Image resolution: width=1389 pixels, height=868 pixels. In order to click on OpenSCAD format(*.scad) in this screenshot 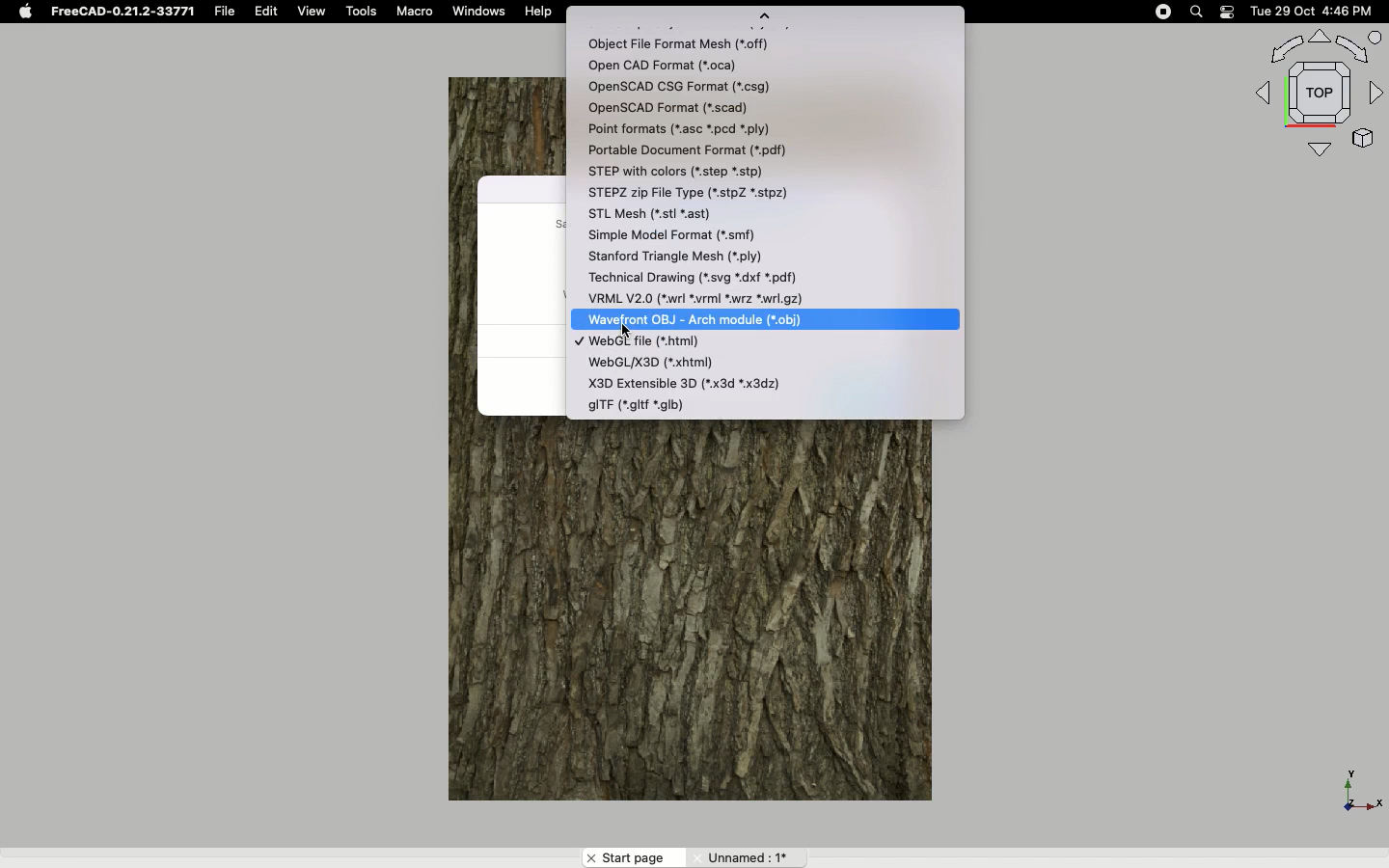, I will do `click(670, 107)`.